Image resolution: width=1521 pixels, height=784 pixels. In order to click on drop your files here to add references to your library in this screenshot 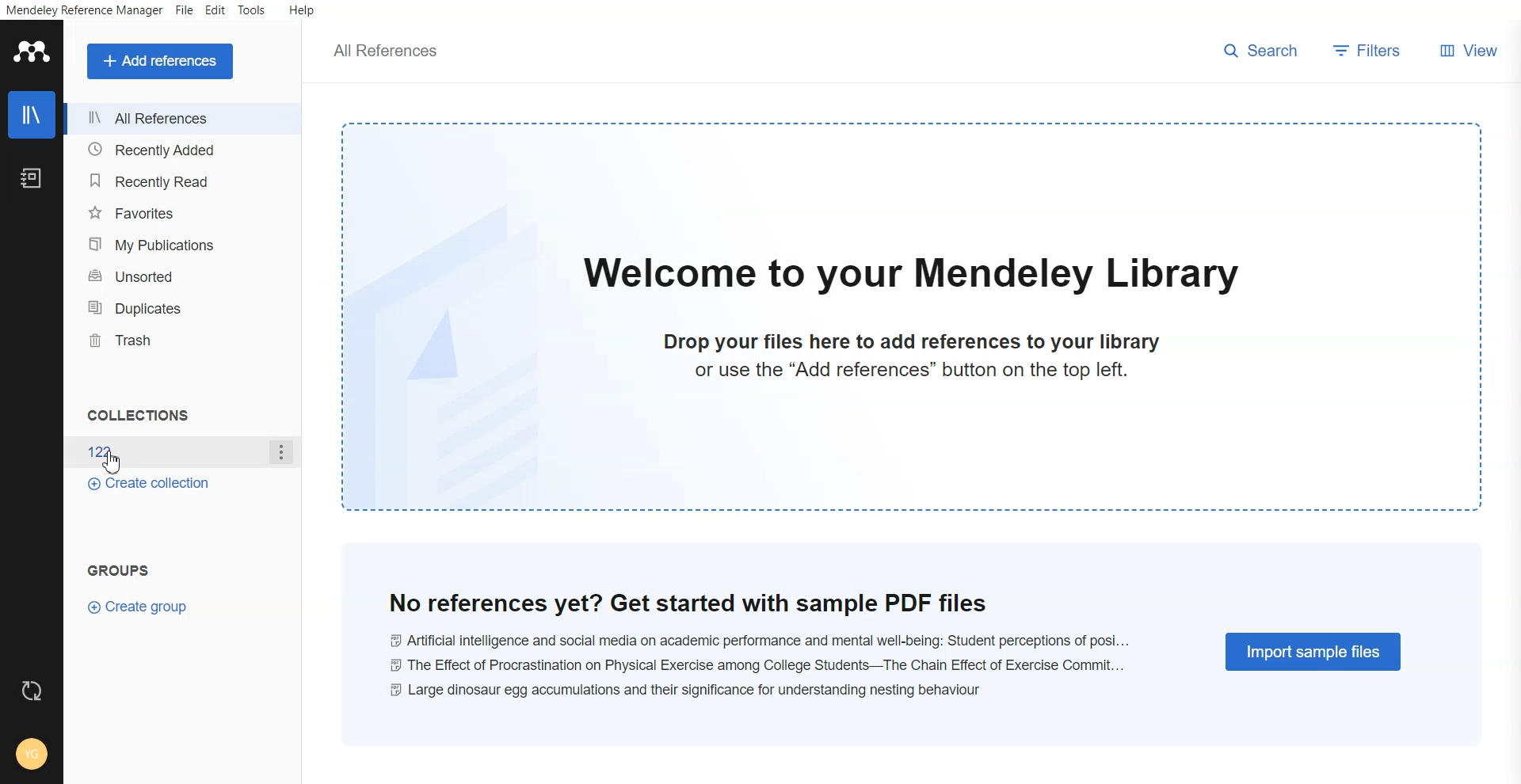, I will do `click(915, 342)`.